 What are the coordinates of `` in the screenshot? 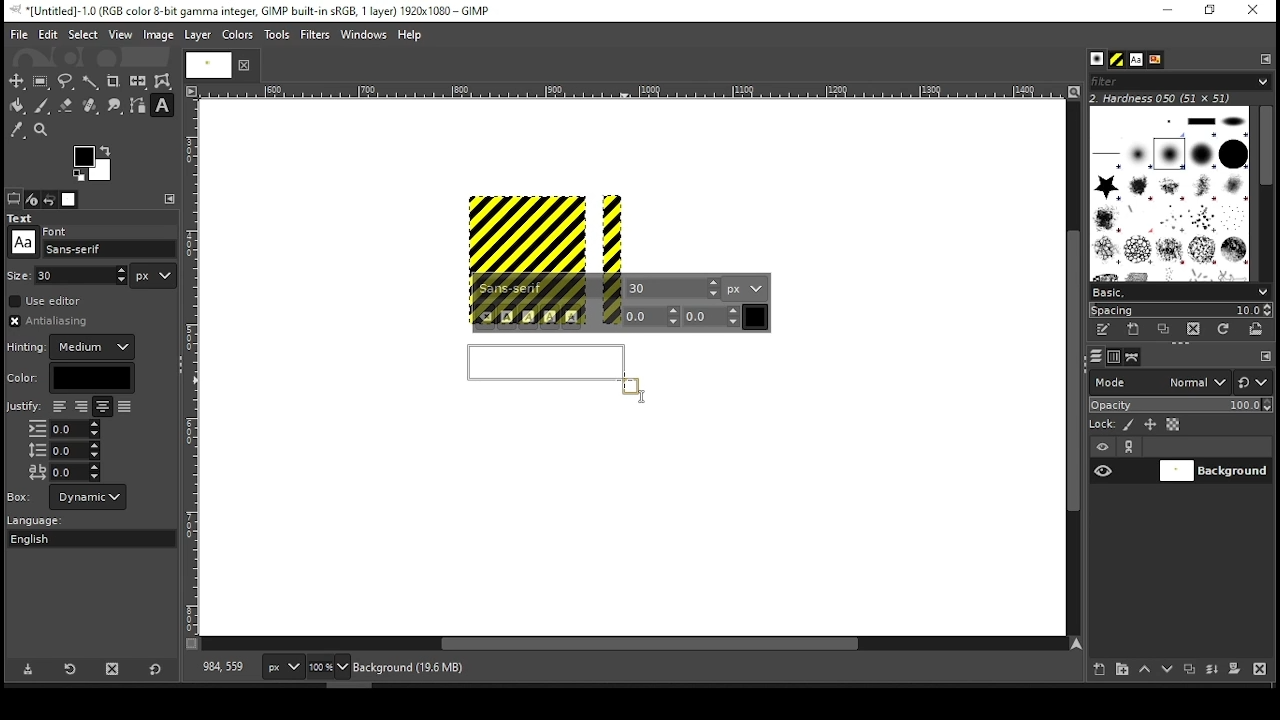 It's located at (57, 229).